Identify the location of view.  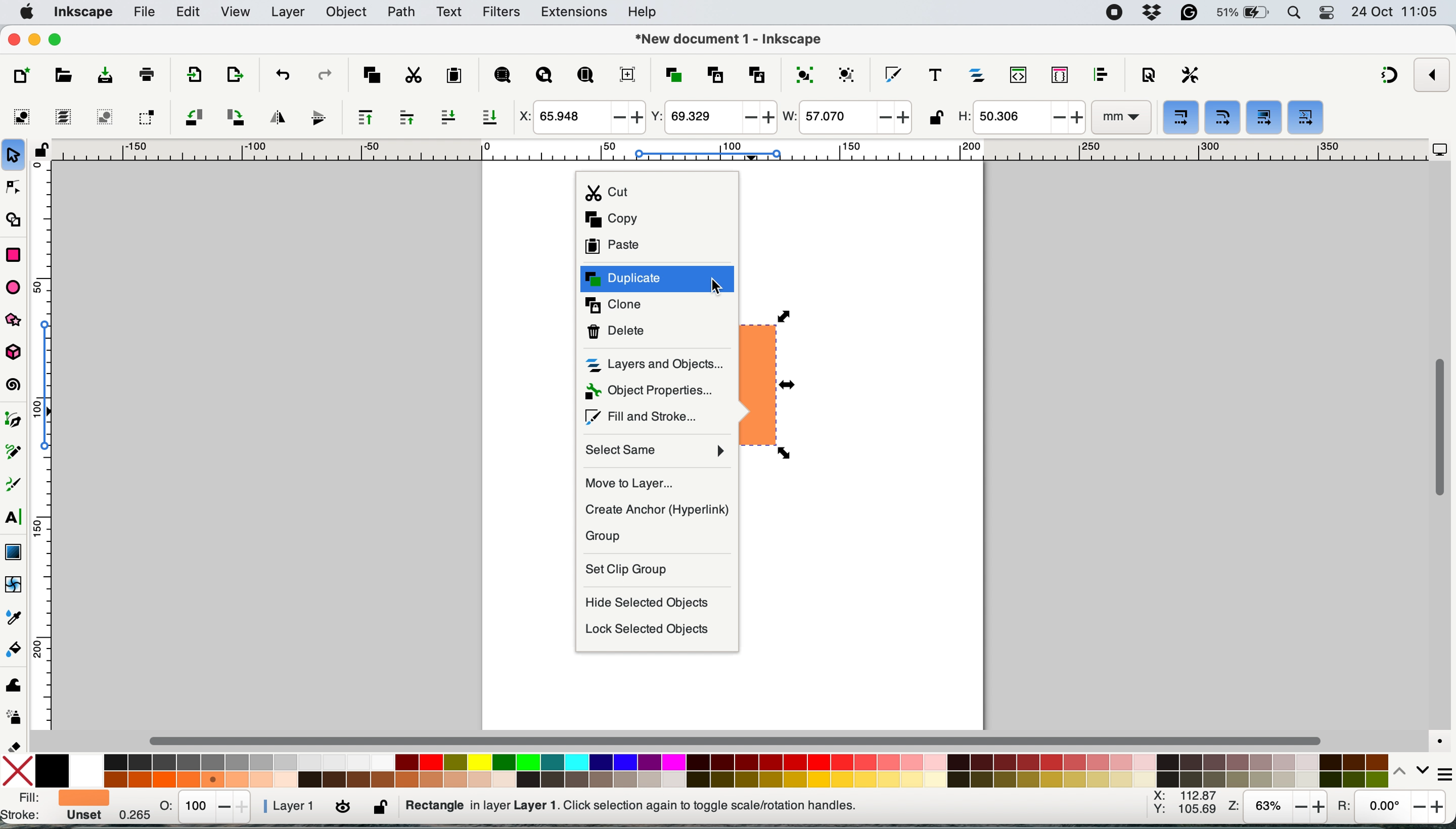
(237, 13).